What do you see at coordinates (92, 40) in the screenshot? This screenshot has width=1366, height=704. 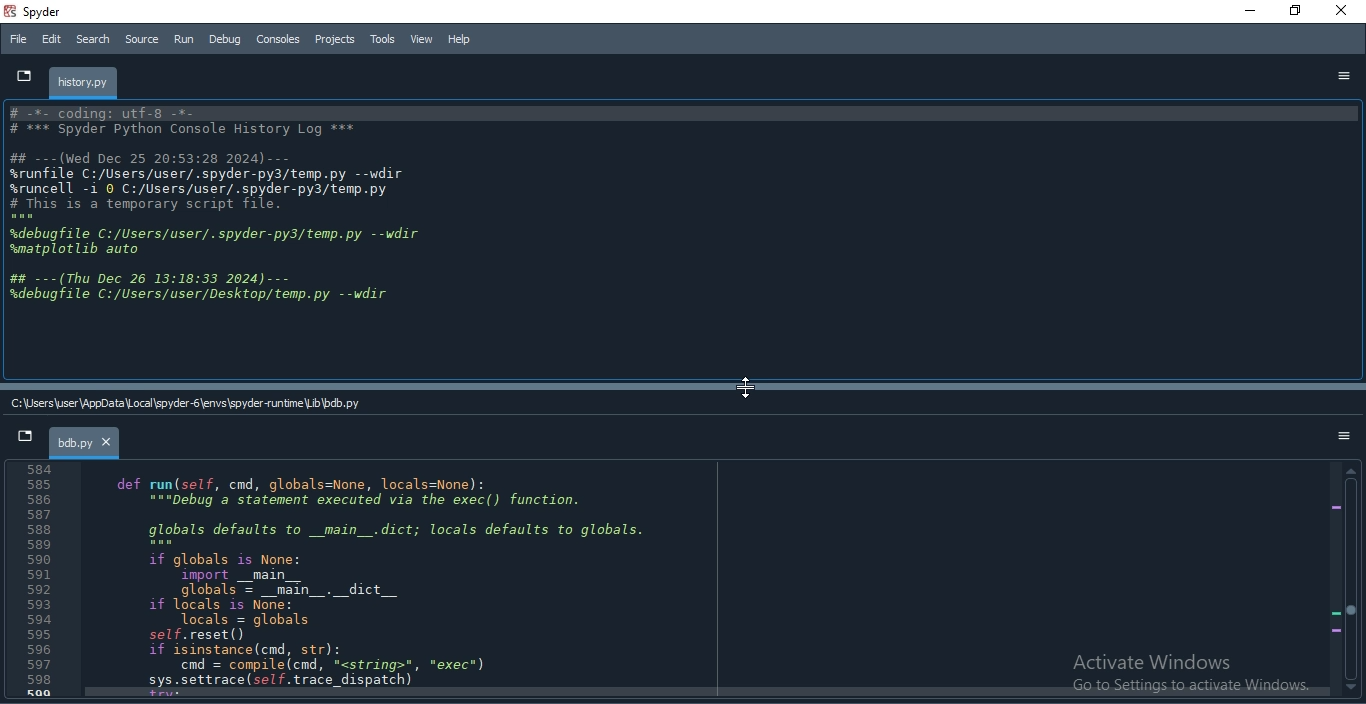 I see `Search` at bounding box center [92, 40].